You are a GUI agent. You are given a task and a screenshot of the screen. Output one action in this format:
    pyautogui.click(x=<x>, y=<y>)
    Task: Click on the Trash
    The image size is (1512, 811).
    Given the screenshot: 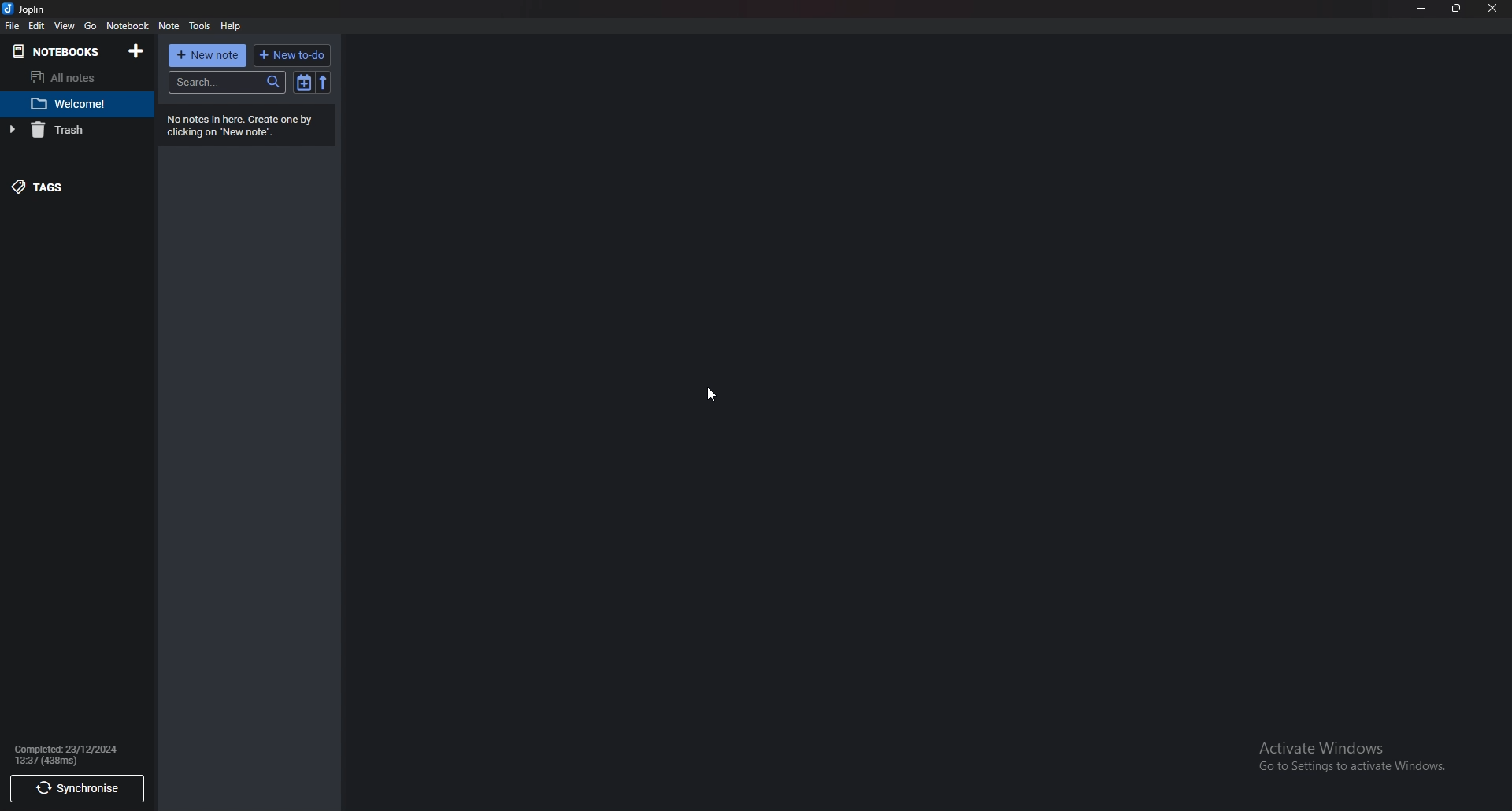 What is the action you would take?
    pyautogui.click(x=72, y=130)
    